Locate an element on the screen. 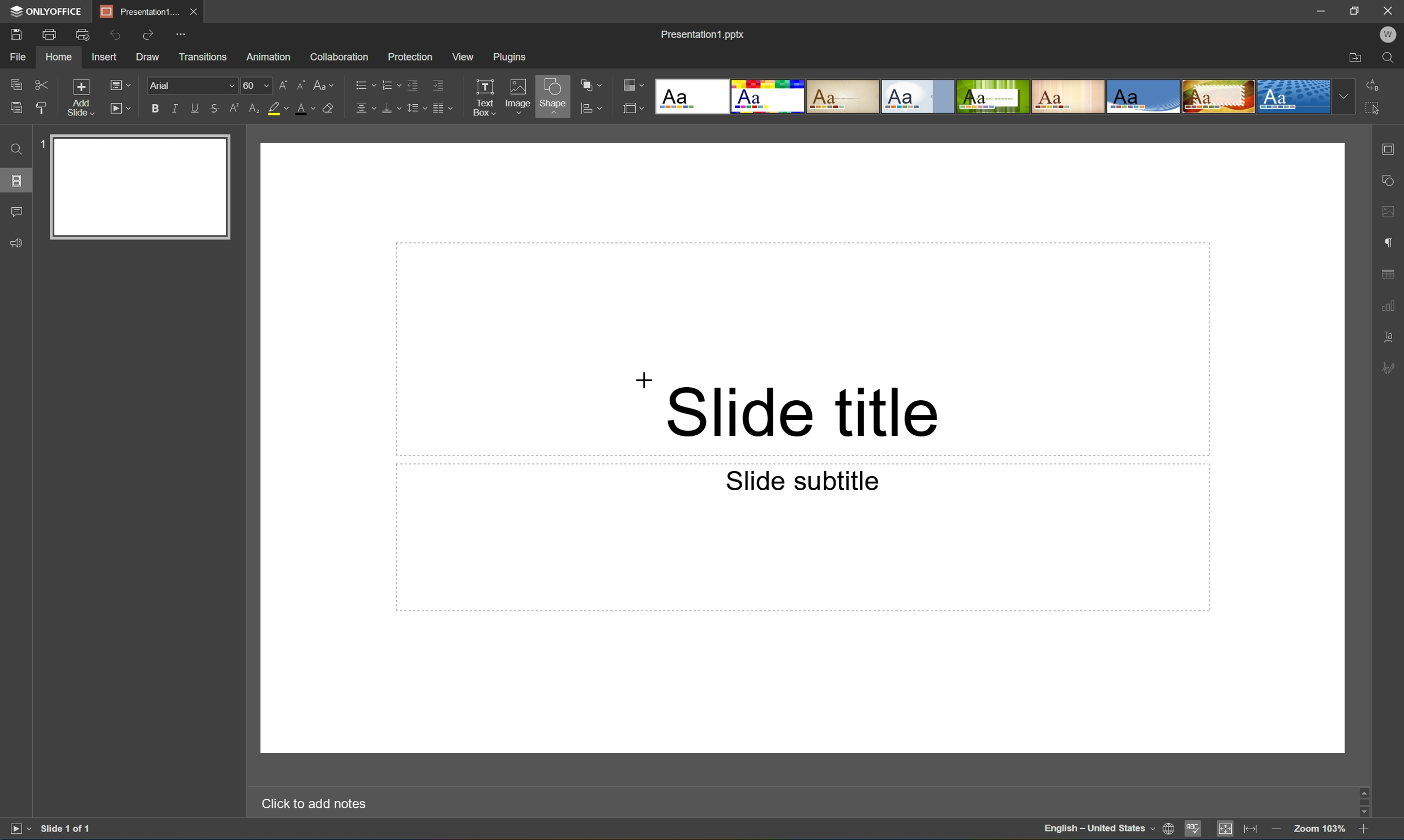 The image size is (1404, 840). Protection is located at coordinates (409, 56).